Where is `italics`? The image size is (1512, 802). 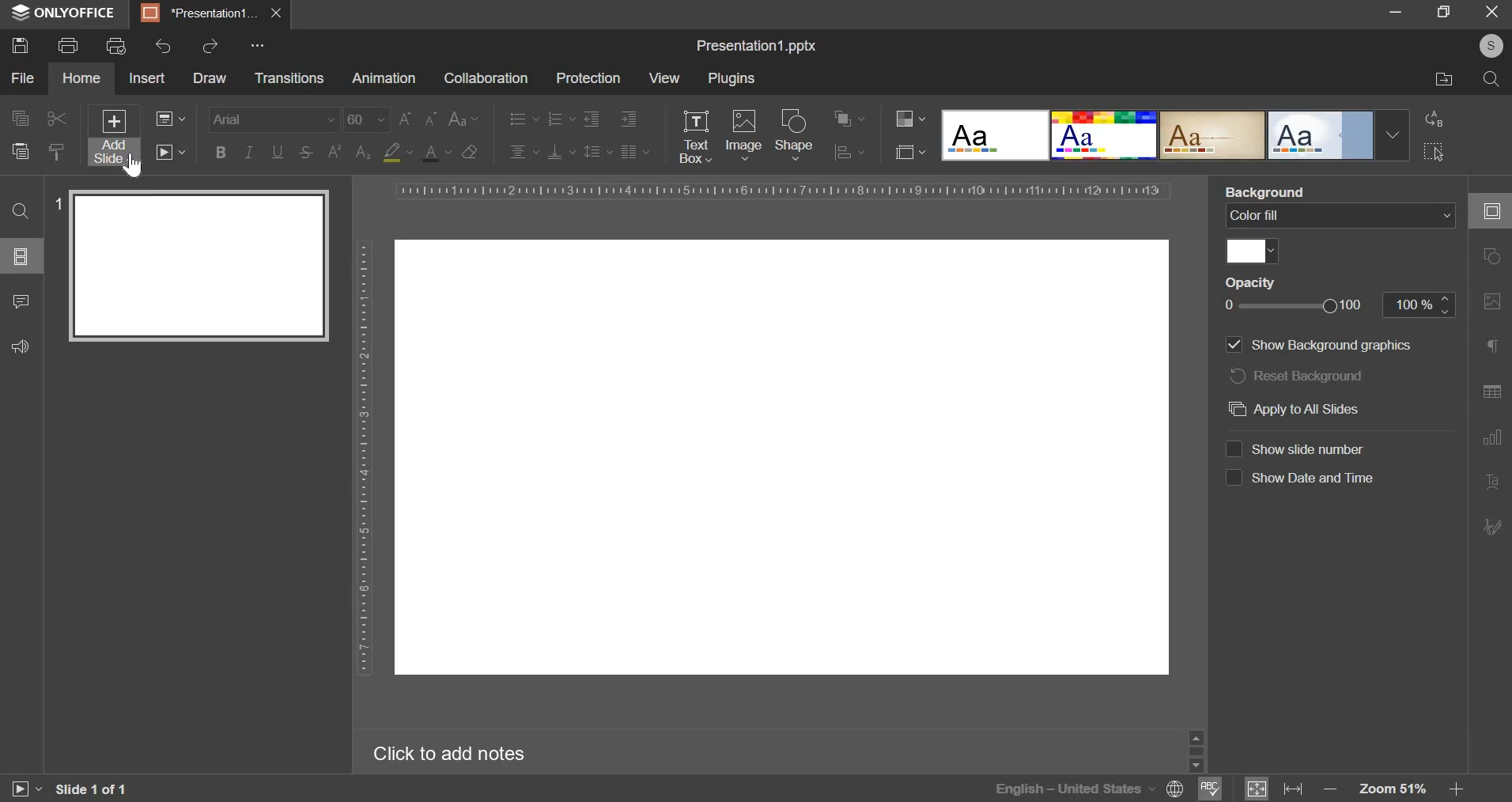 italics is located at coordinates (248, 151).